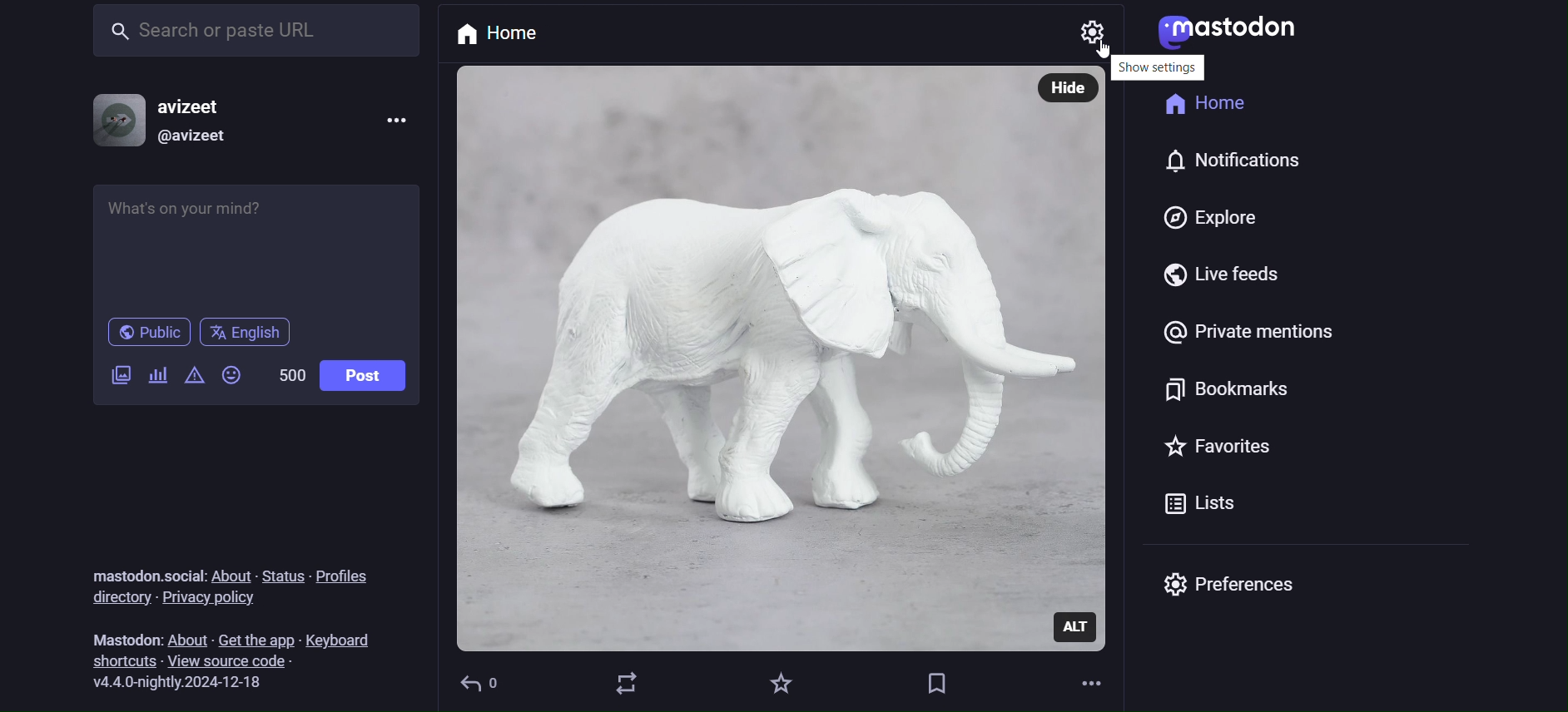 The width and height of the screenshot is (1568, 712). What do you see at coordinates (232, 379) in the screenshot?
I see `add emoji` at bounding box center [232, 379].